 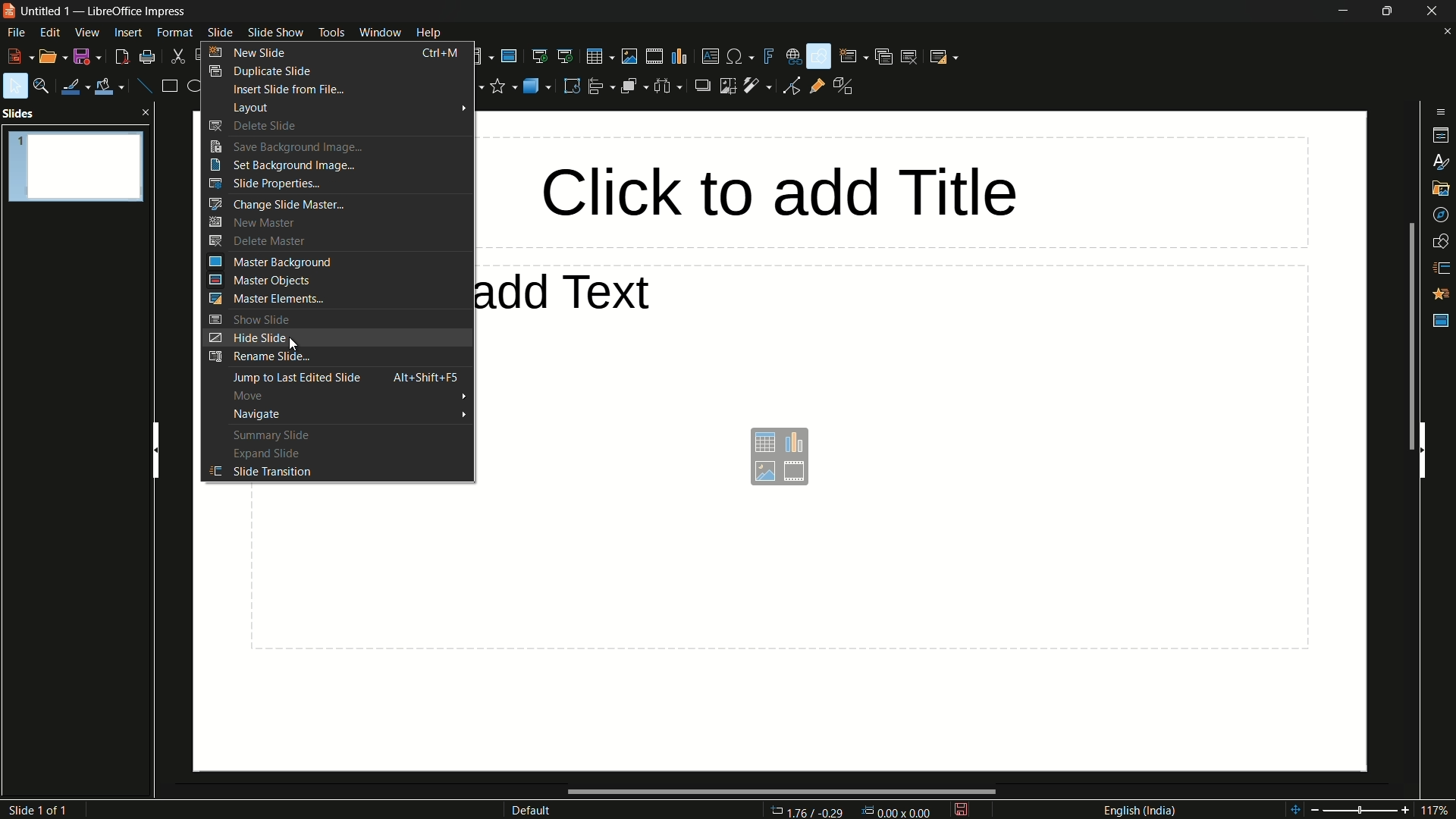 What do you see at coordinates (1437, 810) in the screenshot?
I see `117%` at bounding box center [1437, 810].